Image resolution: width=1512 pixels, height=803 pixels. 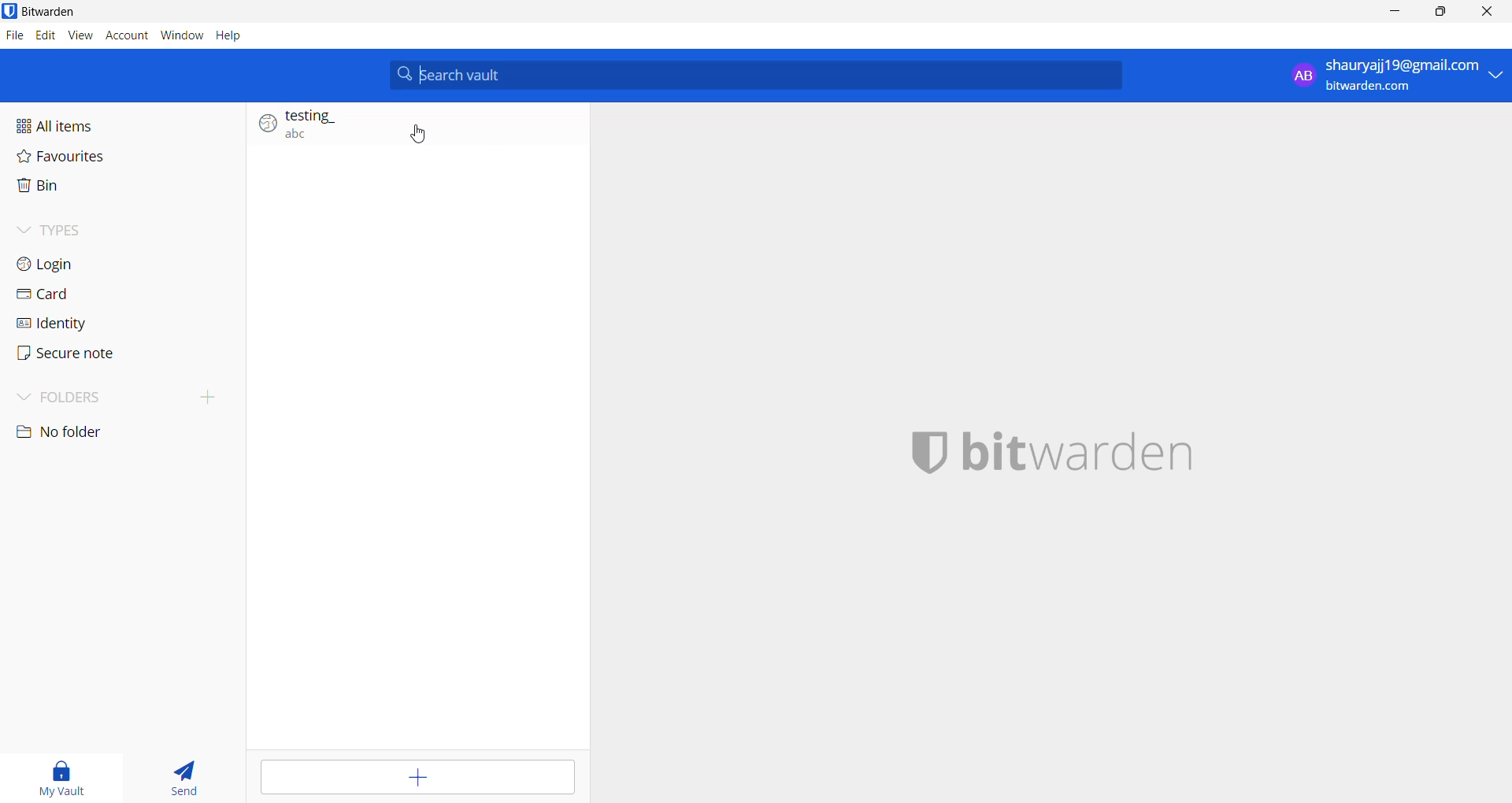 What do you see at coordinates (1392, 17) in the screenshot?
I see `minimize` at bounding box center [1392, 17].